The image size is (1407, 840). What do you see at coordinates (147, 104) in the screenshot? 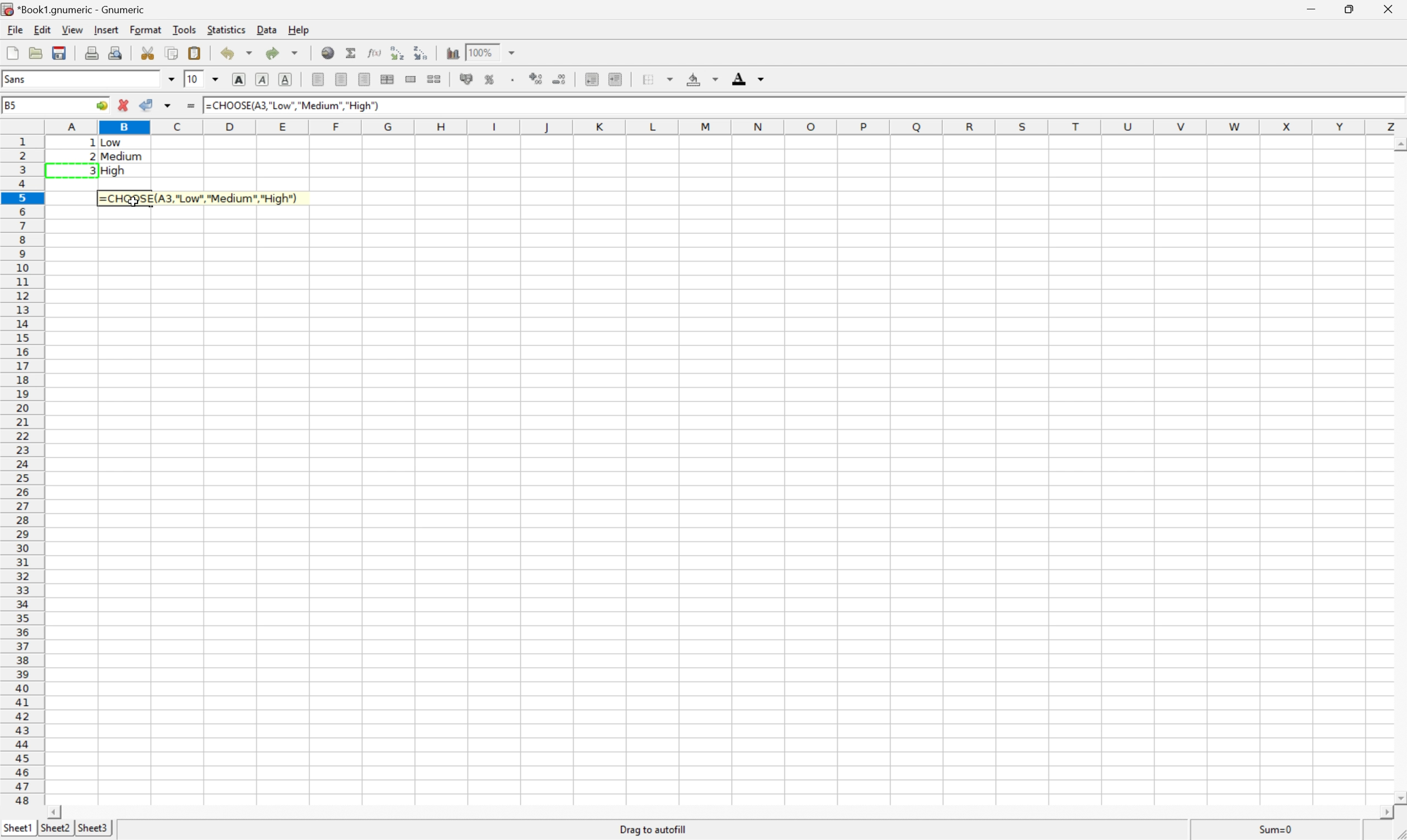
I see `Accept changes` at bounding box center [147, 104].